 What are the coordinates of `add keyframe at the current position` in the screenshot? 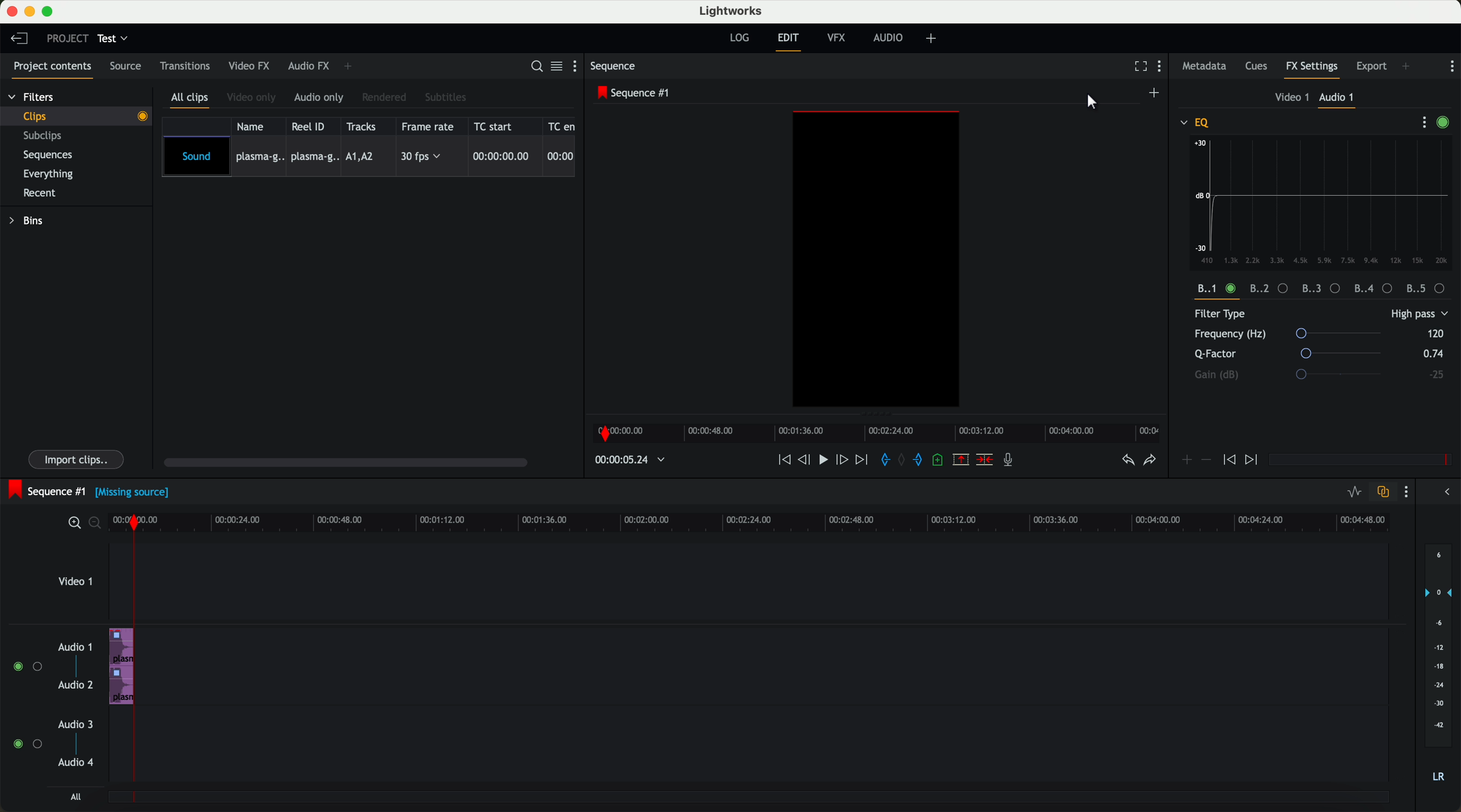 It's located at (1187, 460).